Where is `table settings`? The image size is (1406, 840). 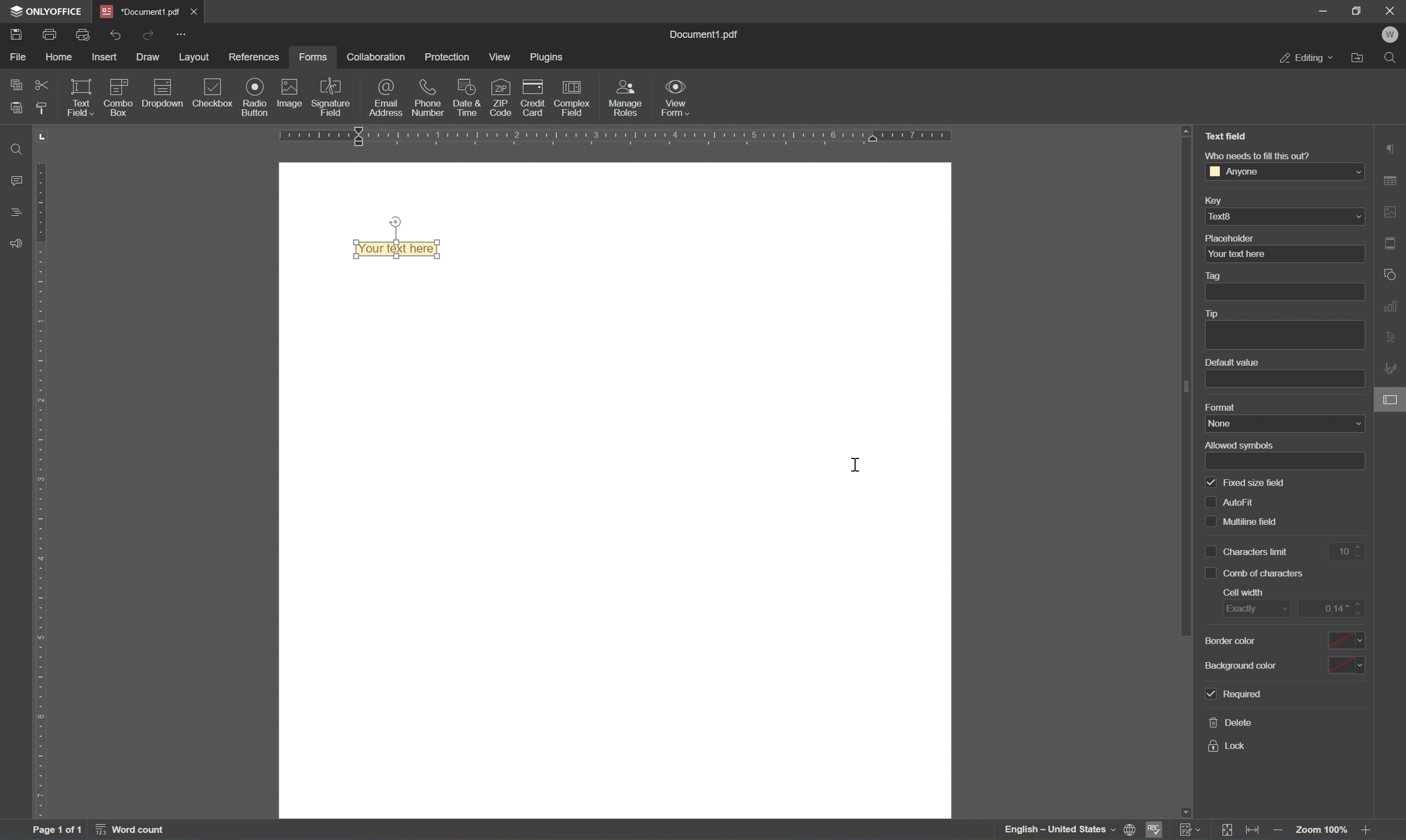 table settings is located at coordinates (1392, 179).